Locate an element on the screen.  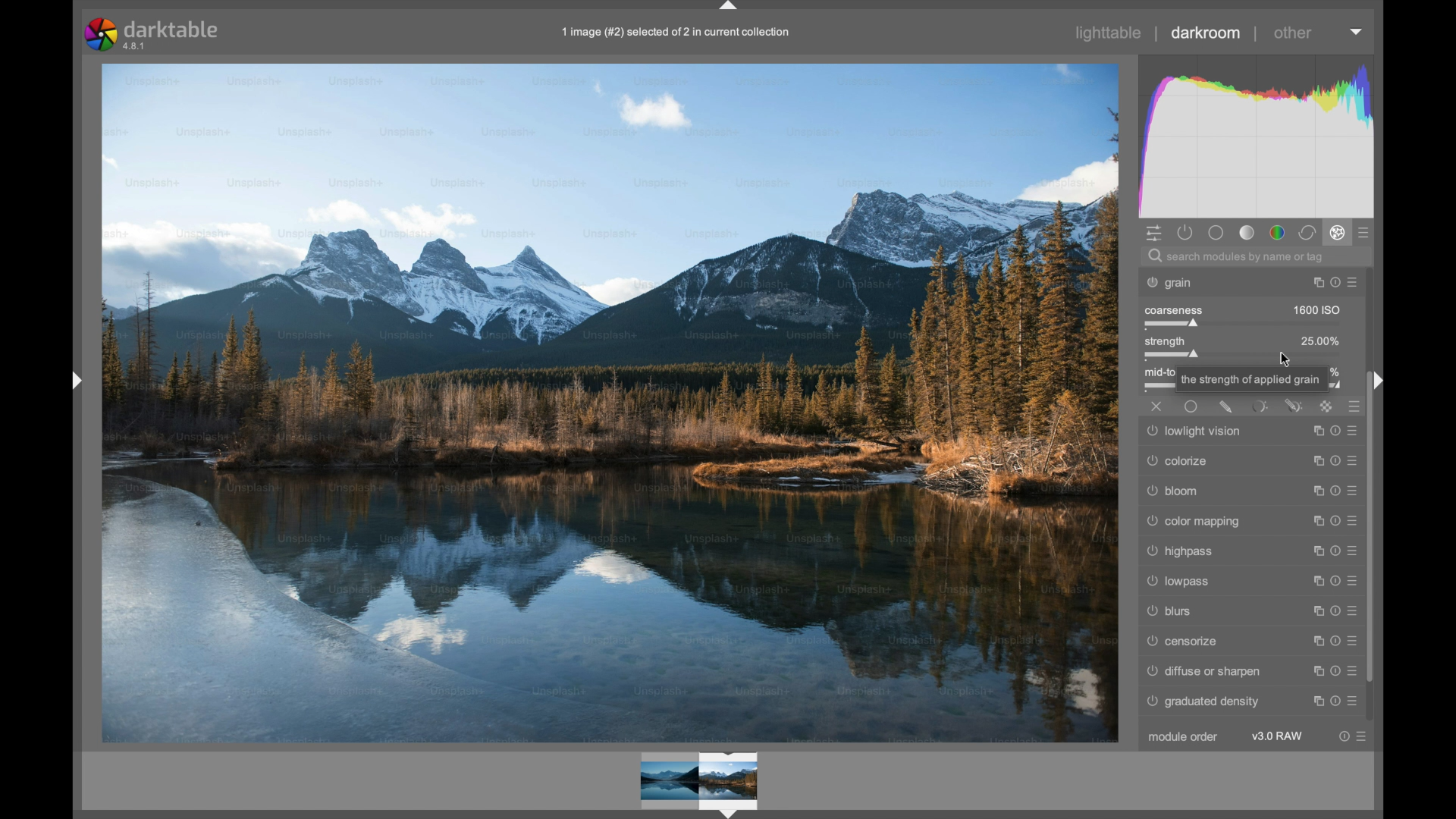
drawn mask is located at coordinates (1226, 408).